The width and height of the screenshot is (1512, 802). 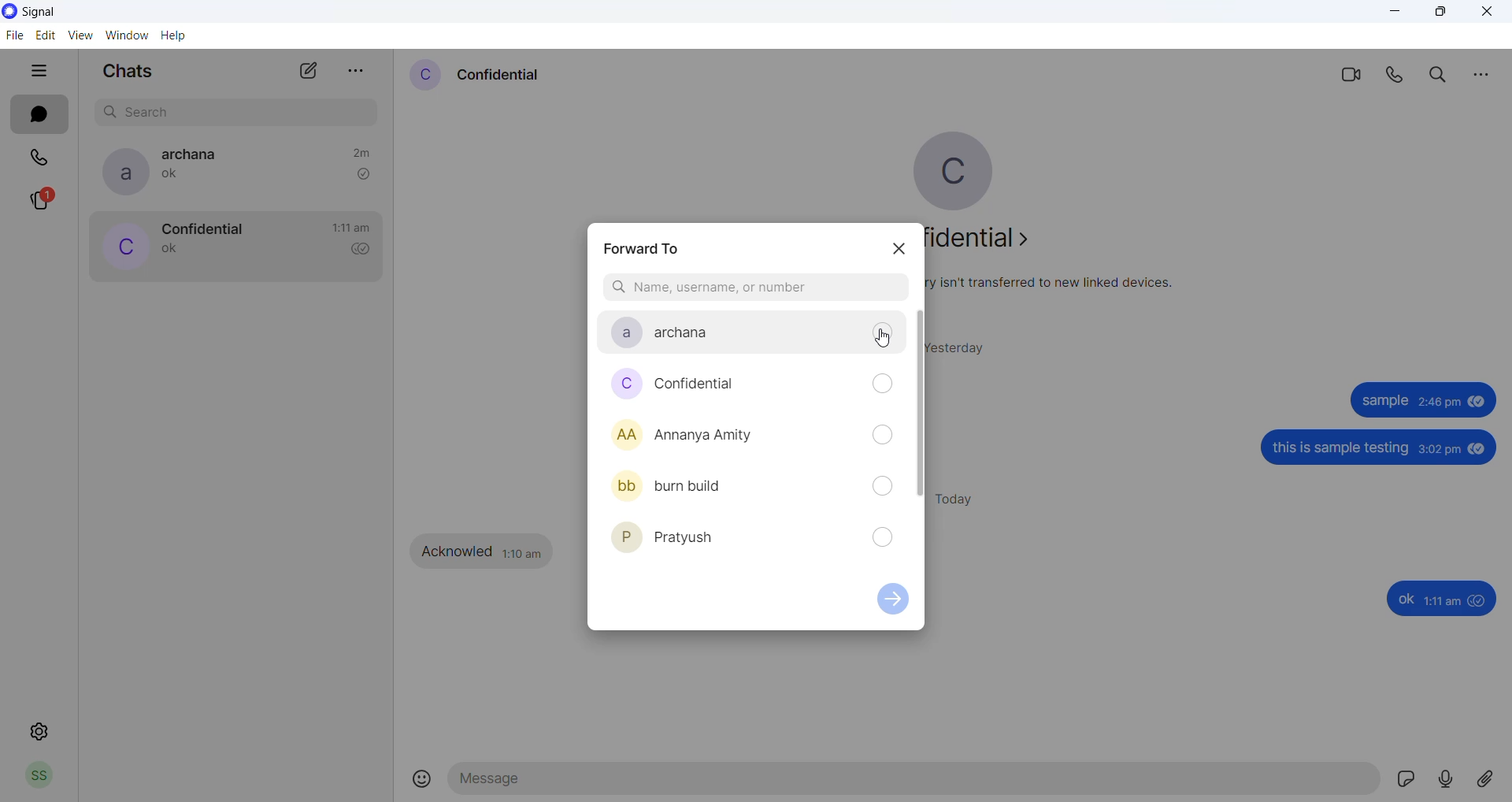 I want to click on forward dialog box heading, so click(x=647, y=244).